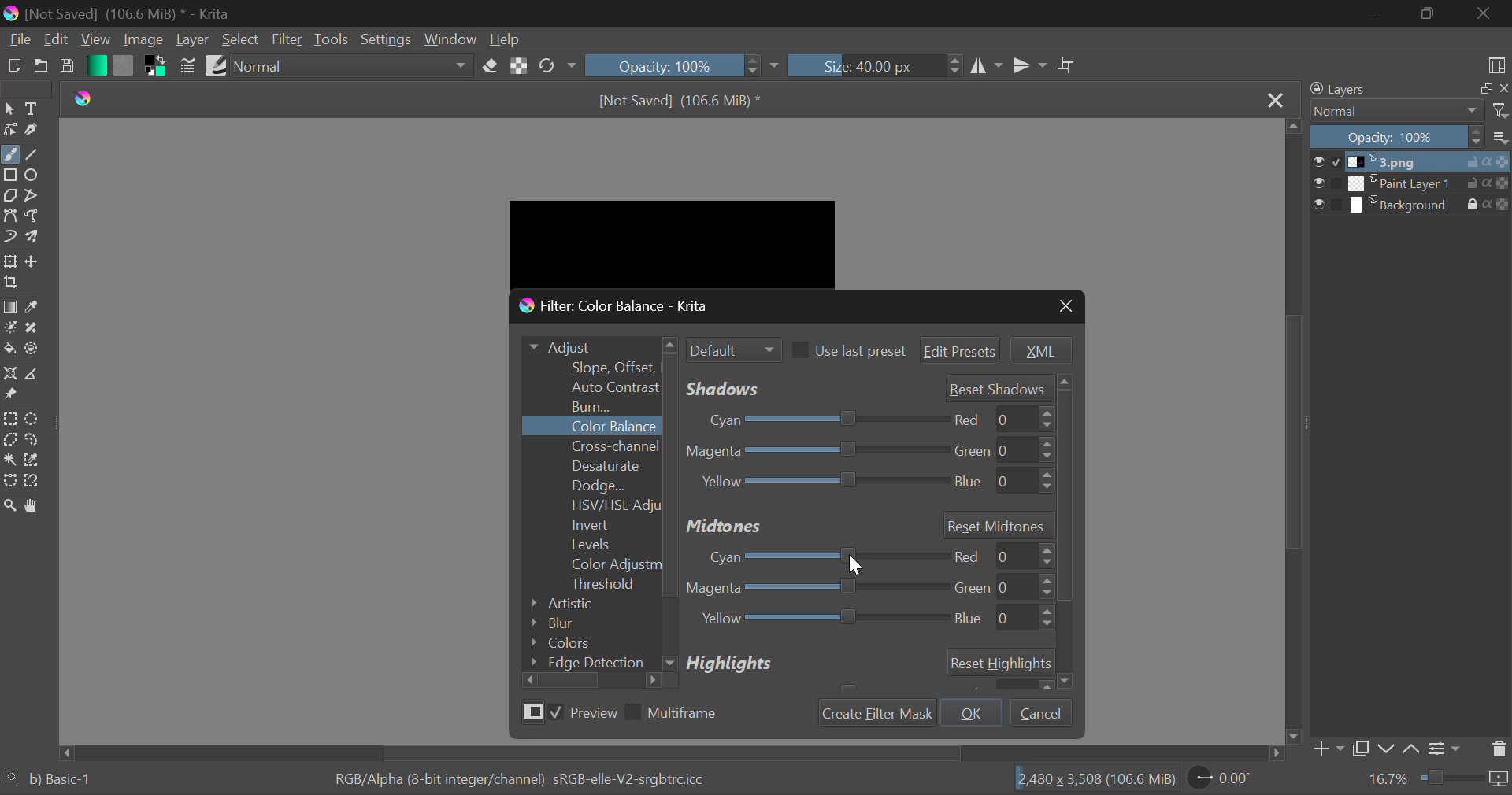  What do you see at coordinates (591, 660) in the screenshot?
I see `Edge Detection` at bounding box center [591, 660].